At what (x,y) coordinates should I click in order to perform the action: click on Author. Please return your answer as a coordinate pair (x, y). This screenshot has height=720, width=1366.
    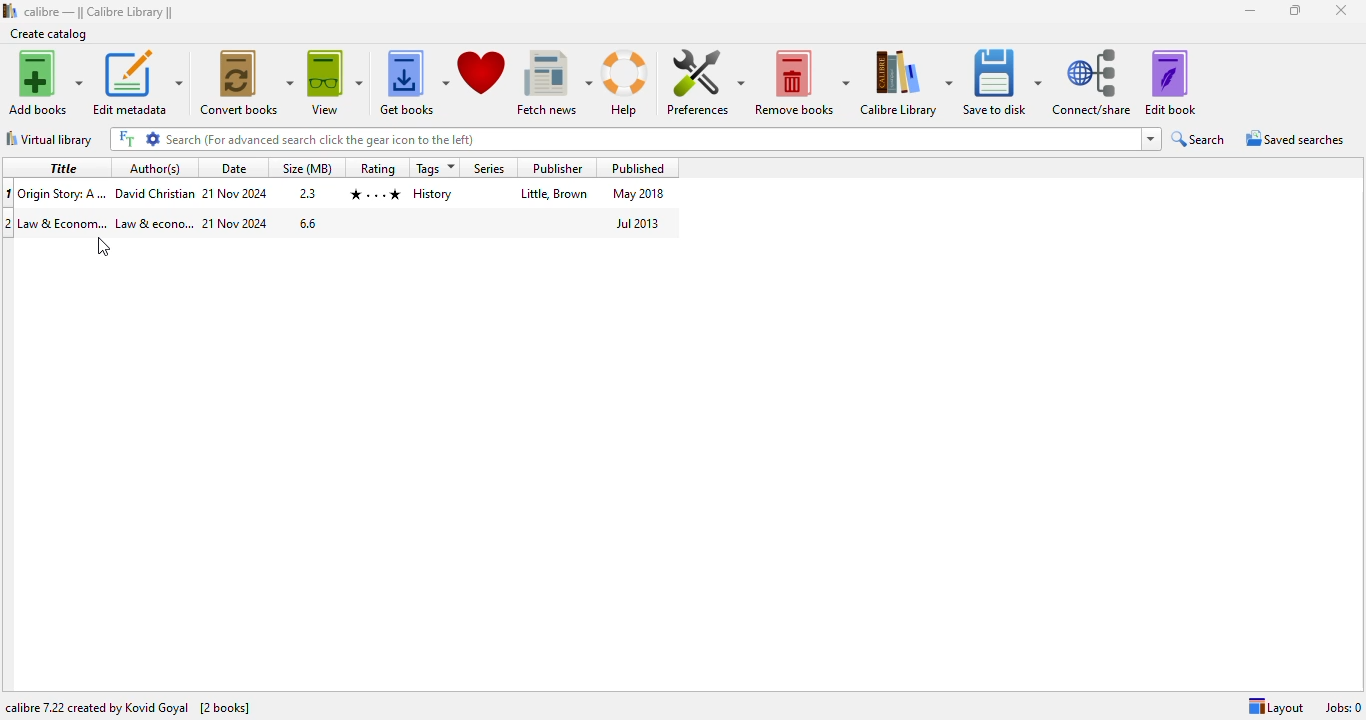
    Looking at the image, I should click on (154, 223).